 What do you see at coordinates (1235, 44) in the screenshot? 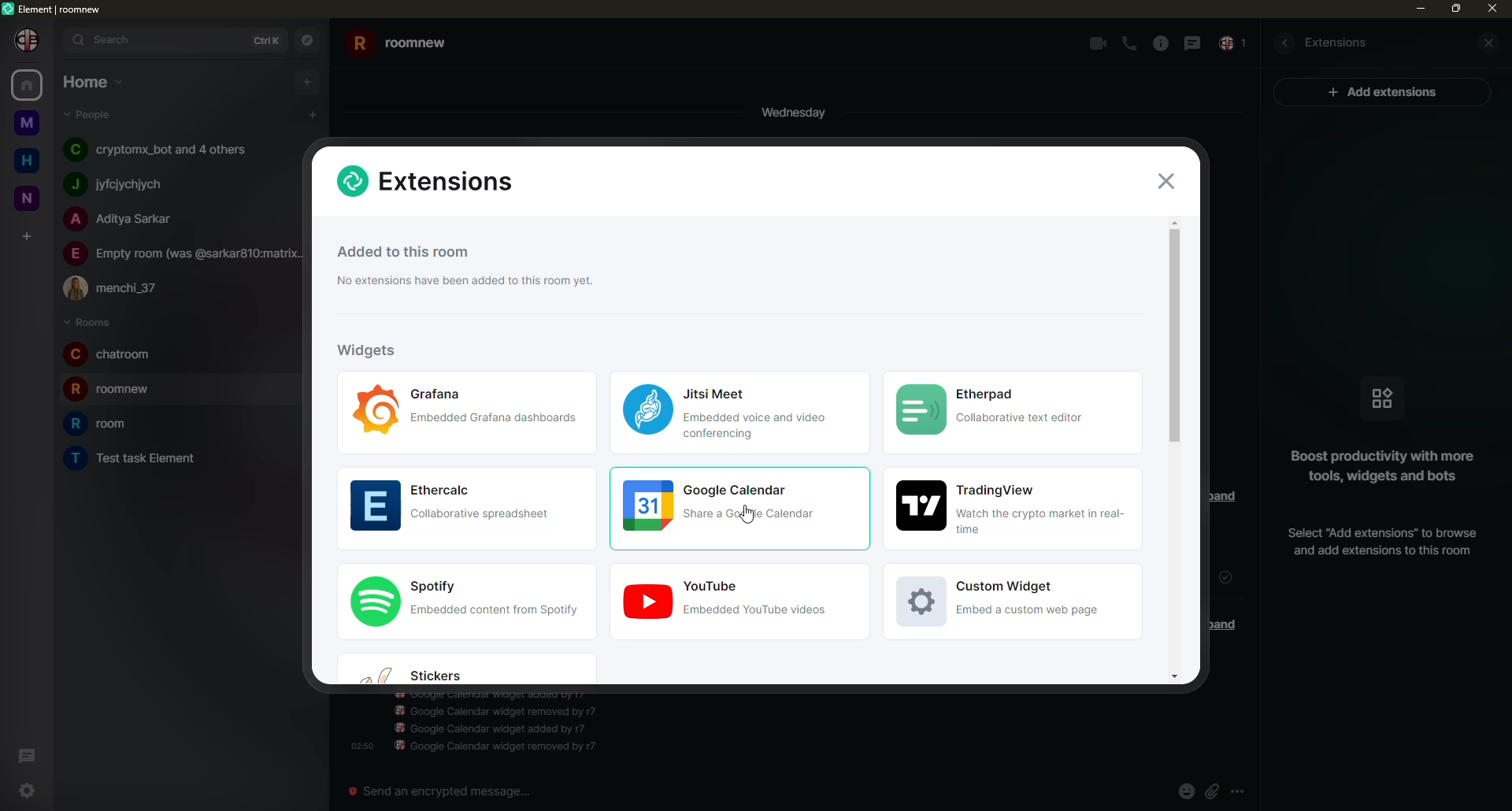
I see `inbox` at bounding box center [1235, 44].